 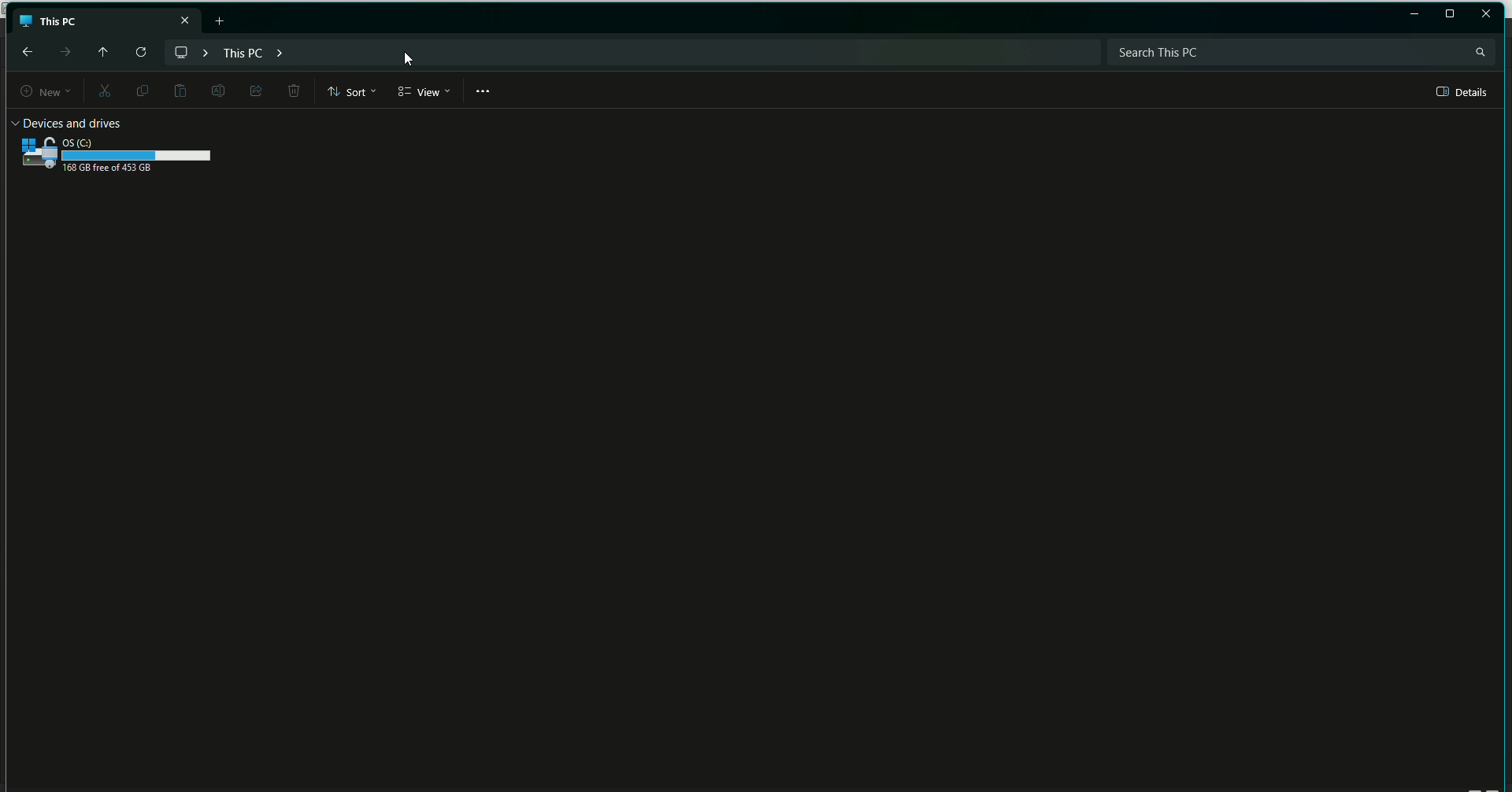 I want to click on Share, so click(x=254, y=90).